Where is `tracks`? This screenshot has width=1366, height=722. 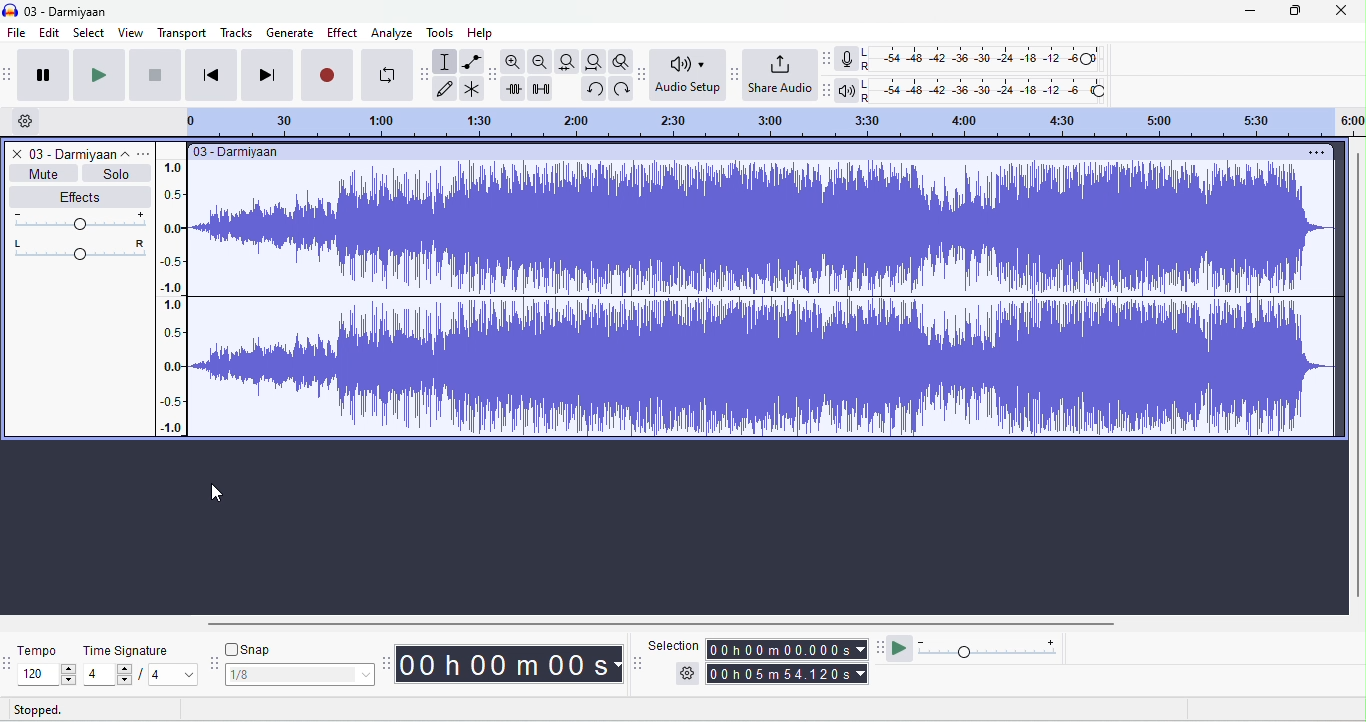 tracks is located at coordinates (235, 34).